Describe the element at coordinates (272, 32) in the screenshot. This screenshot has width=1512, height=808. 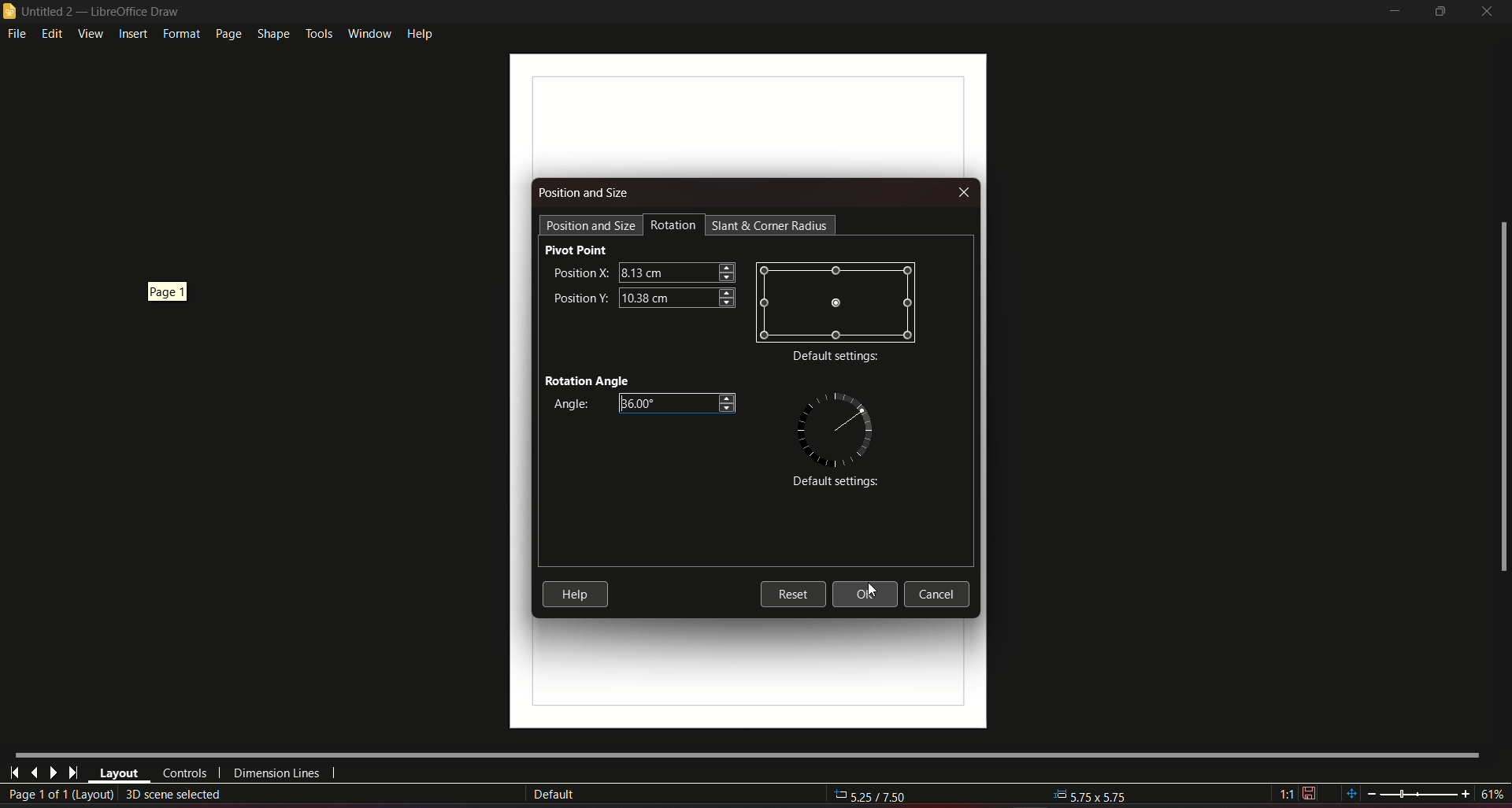
I see `shape` at that location.